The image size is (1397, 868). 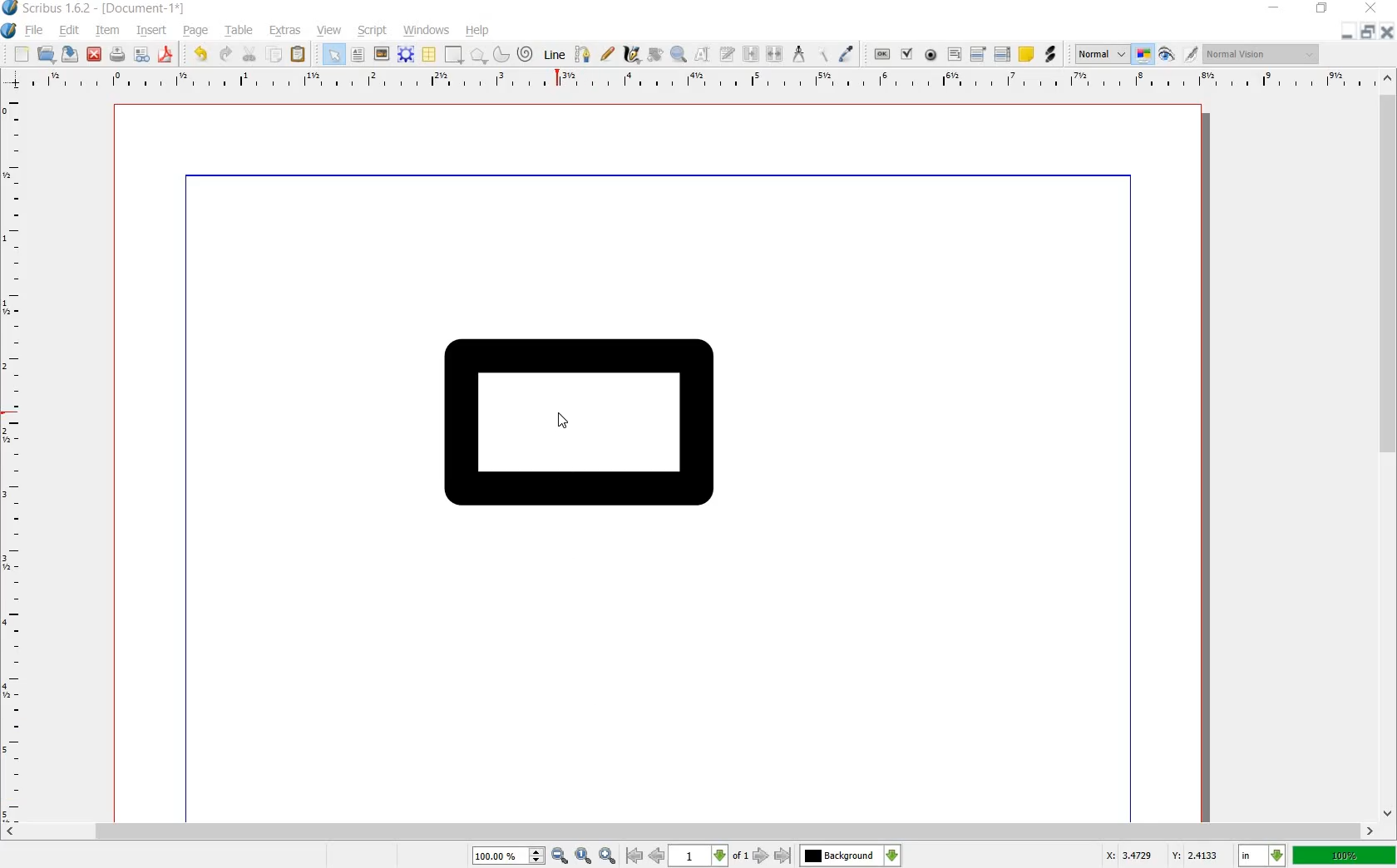 What do you see at coordinates (799, 53) in the screenshot?
I see `measurements` at bounding box center [799, 53].